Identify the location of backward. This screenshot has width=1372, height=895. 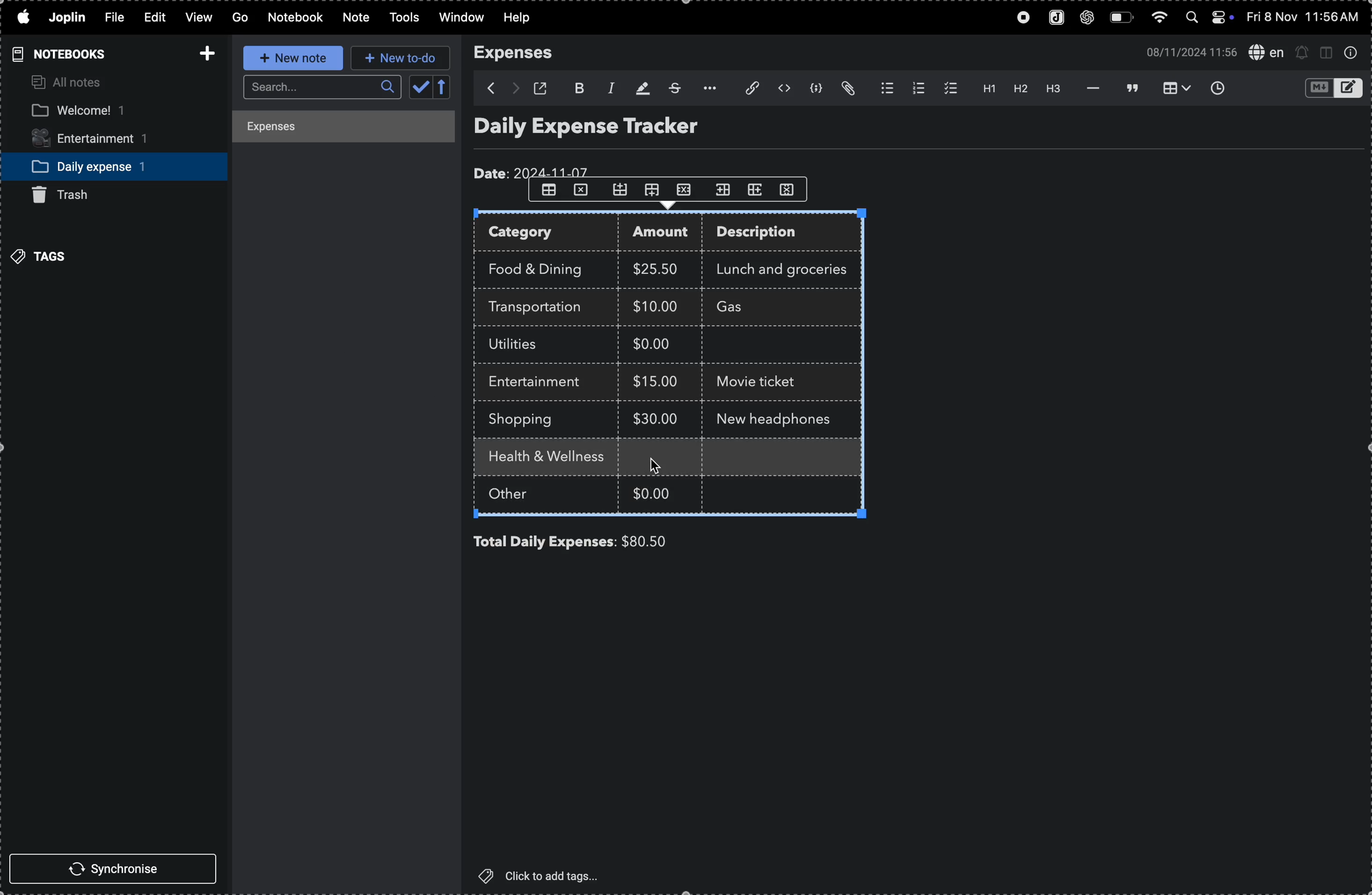
(485, 88).